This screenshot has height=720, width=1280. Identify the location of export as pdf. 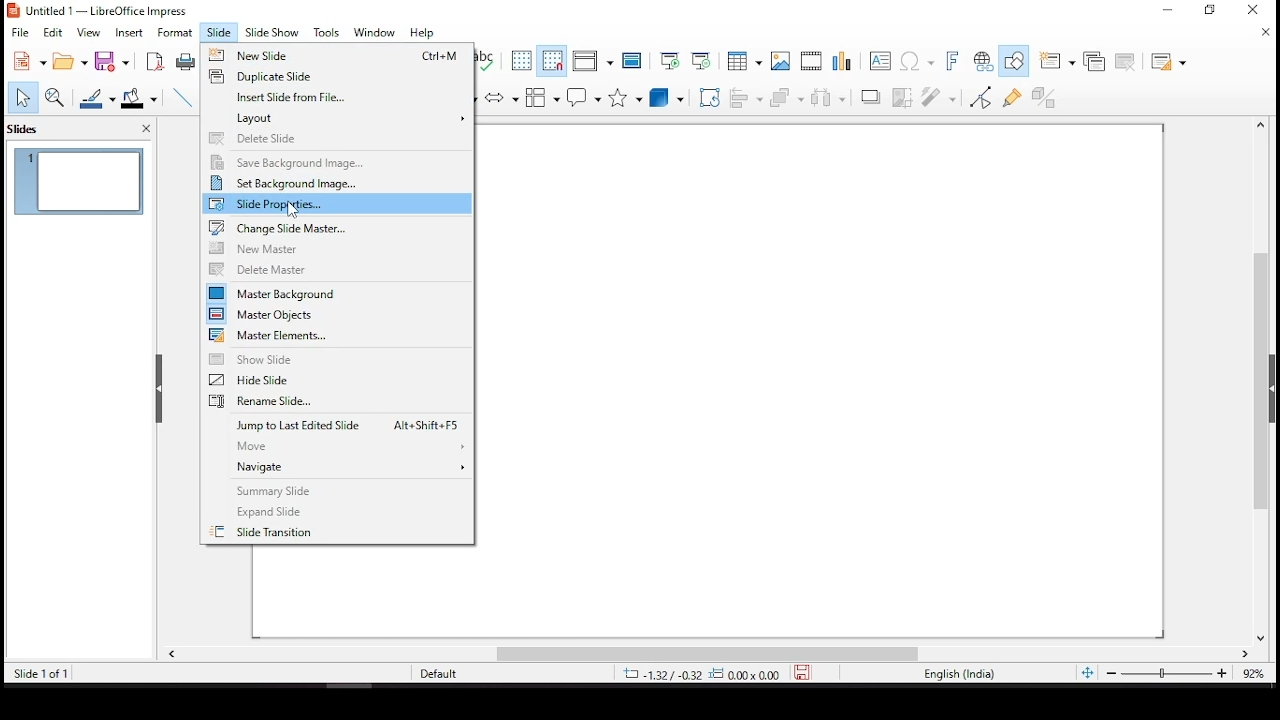
(155, 60).